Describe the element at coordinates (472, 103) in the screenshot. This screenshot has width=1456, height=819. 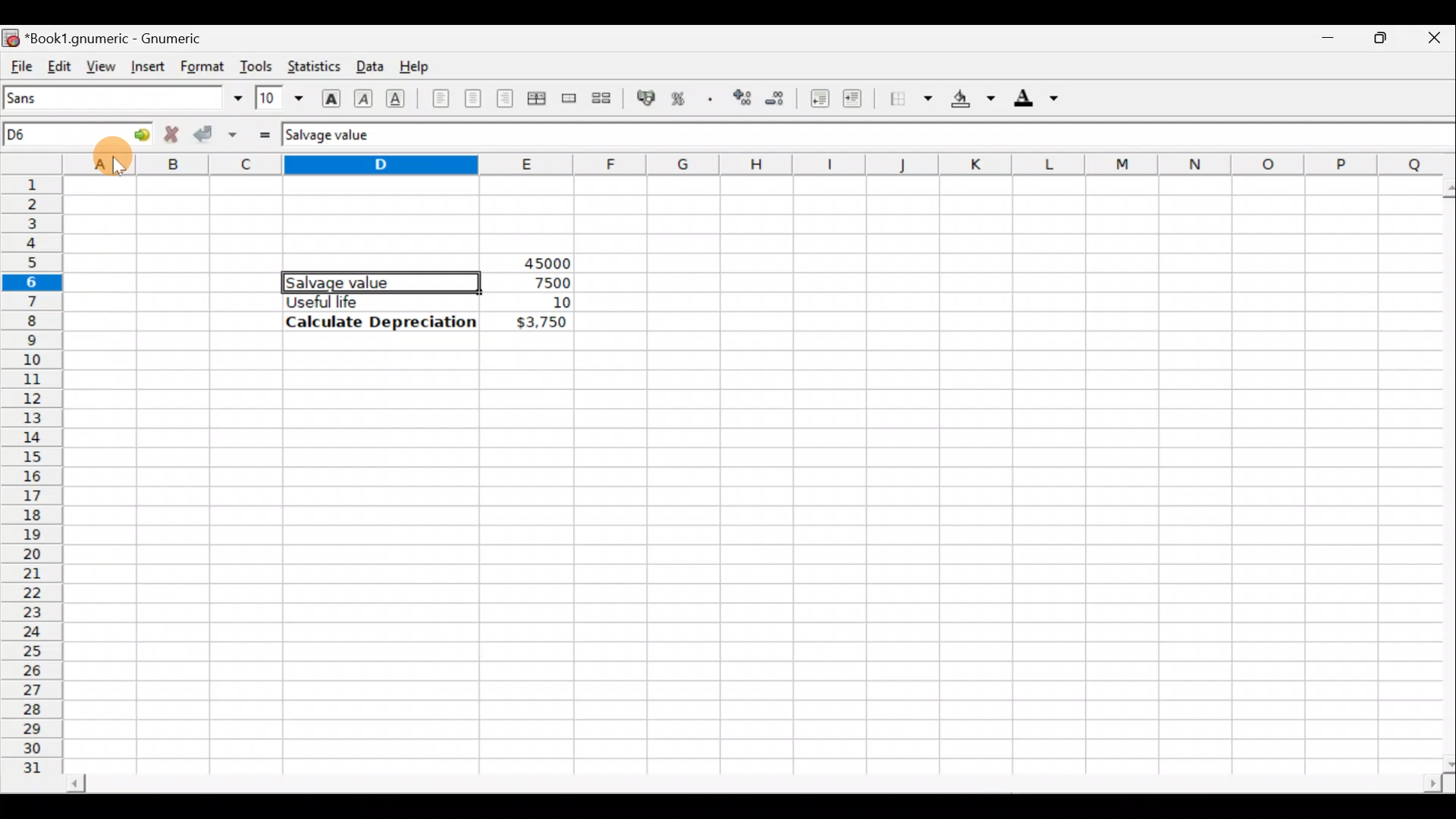
I see `Centre horizontally` at that location.